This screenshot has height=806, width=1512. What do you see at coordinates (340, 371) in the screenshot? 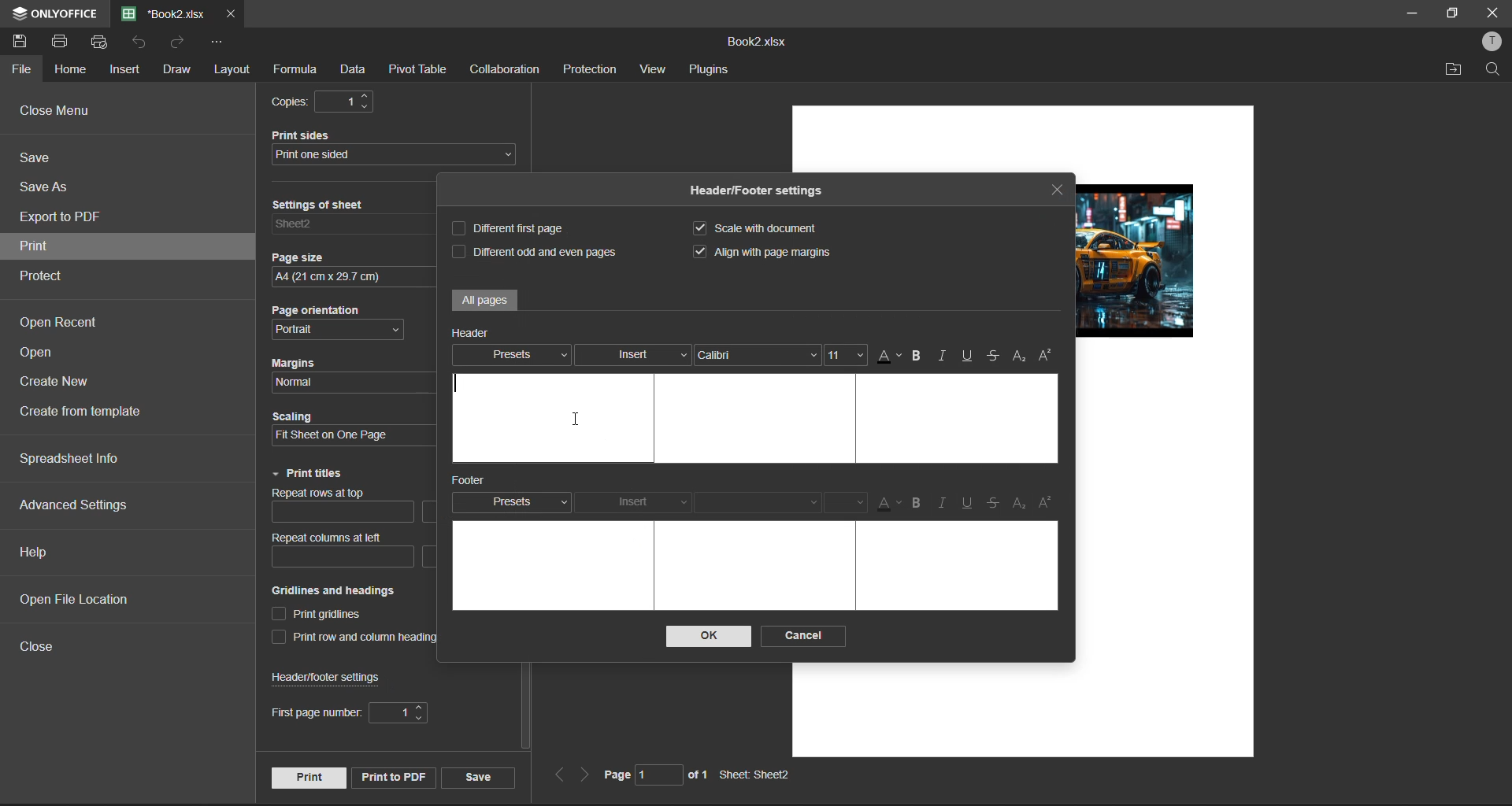
I see `margins` at bounding box center [340, 371].